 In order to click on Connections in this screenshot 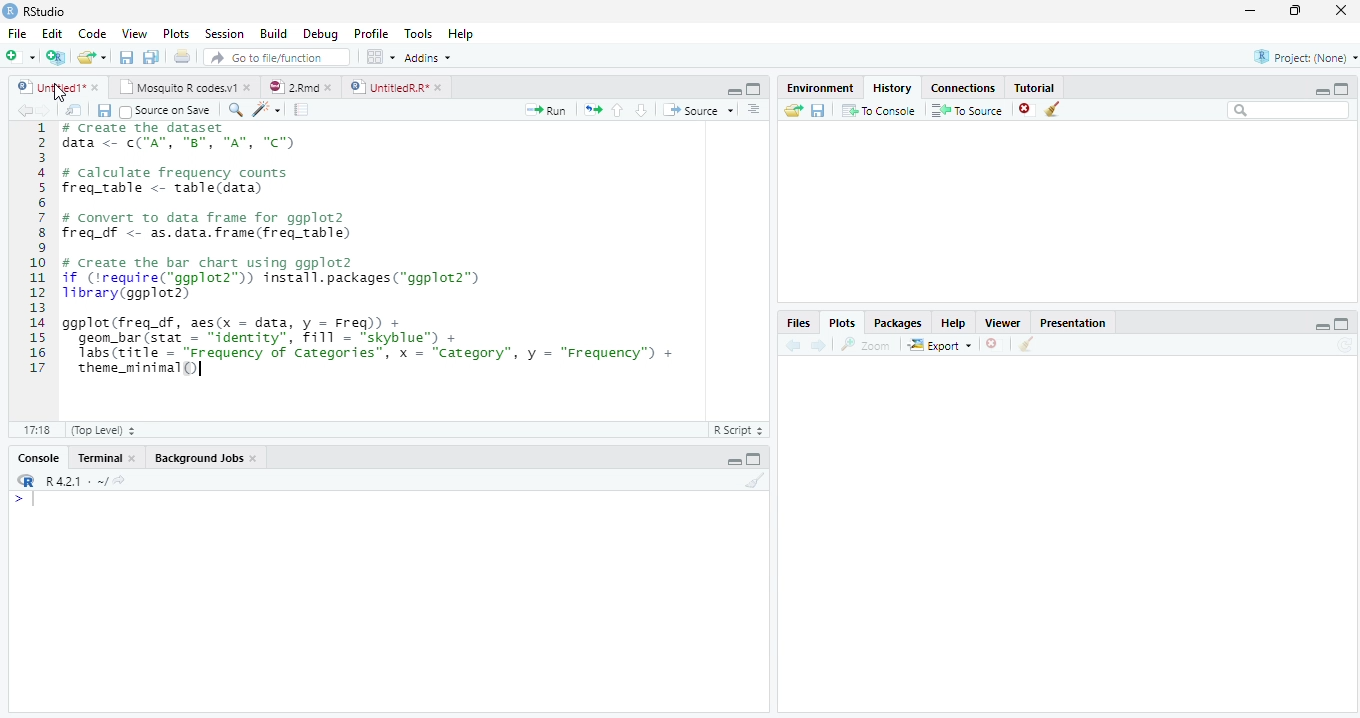, I will do `click(961, 88)`.